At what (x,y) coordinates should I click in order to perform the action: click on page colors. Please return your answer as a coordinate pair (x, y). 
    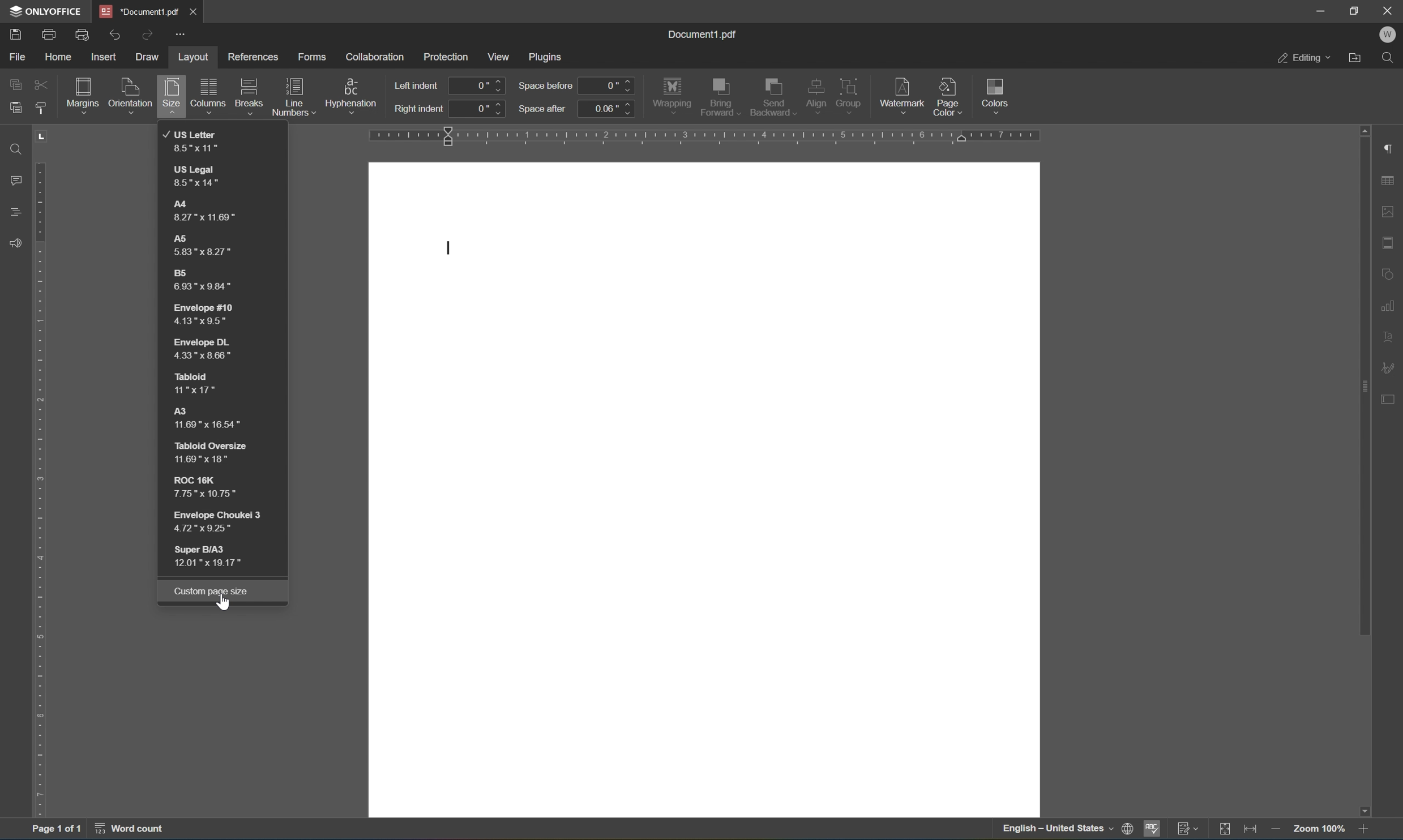
    Looking at the image, I should click on (947, 96).